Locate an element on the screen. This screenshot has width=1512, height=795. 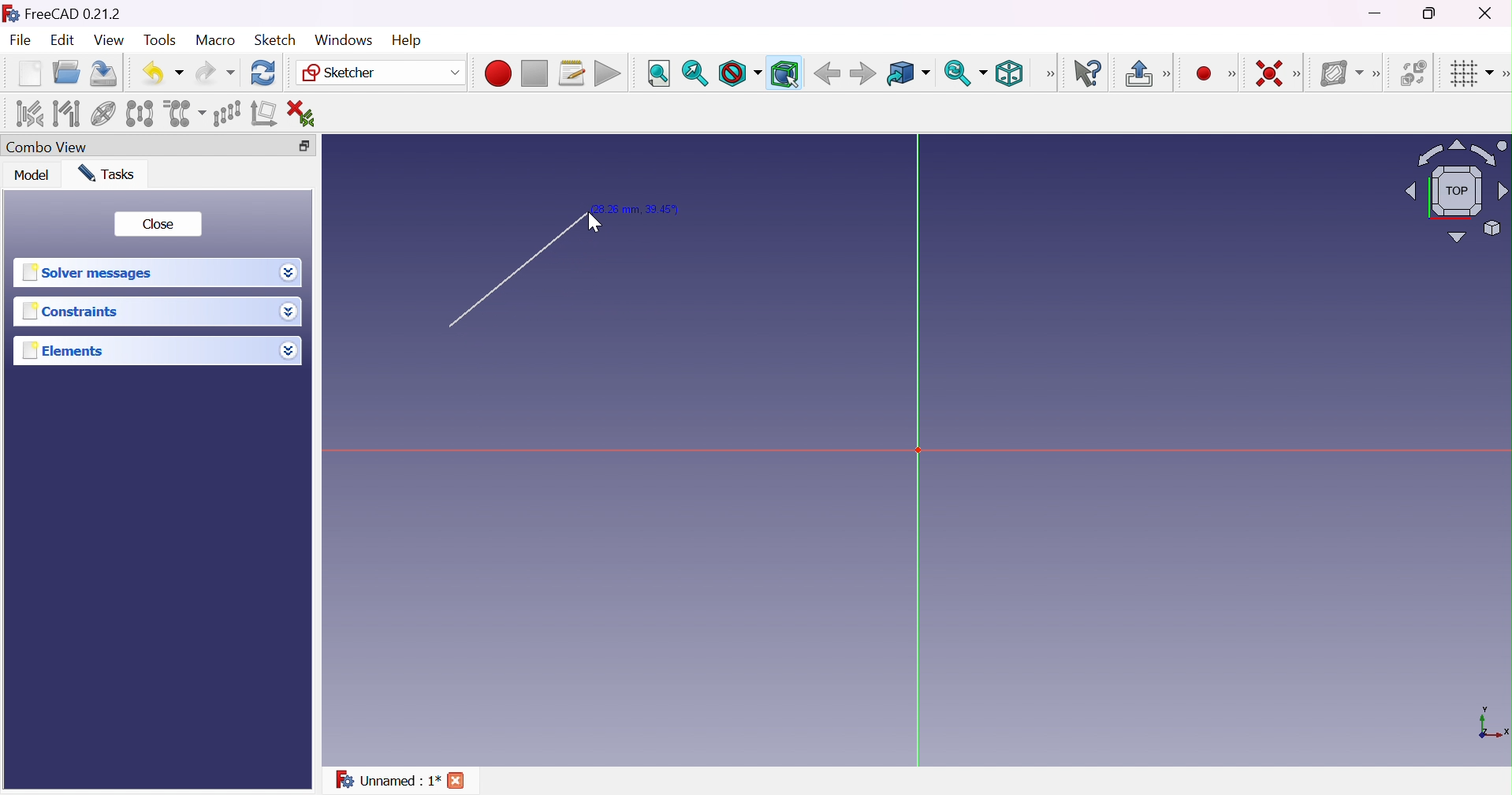
Refresh is located at coordinates (264, 73).